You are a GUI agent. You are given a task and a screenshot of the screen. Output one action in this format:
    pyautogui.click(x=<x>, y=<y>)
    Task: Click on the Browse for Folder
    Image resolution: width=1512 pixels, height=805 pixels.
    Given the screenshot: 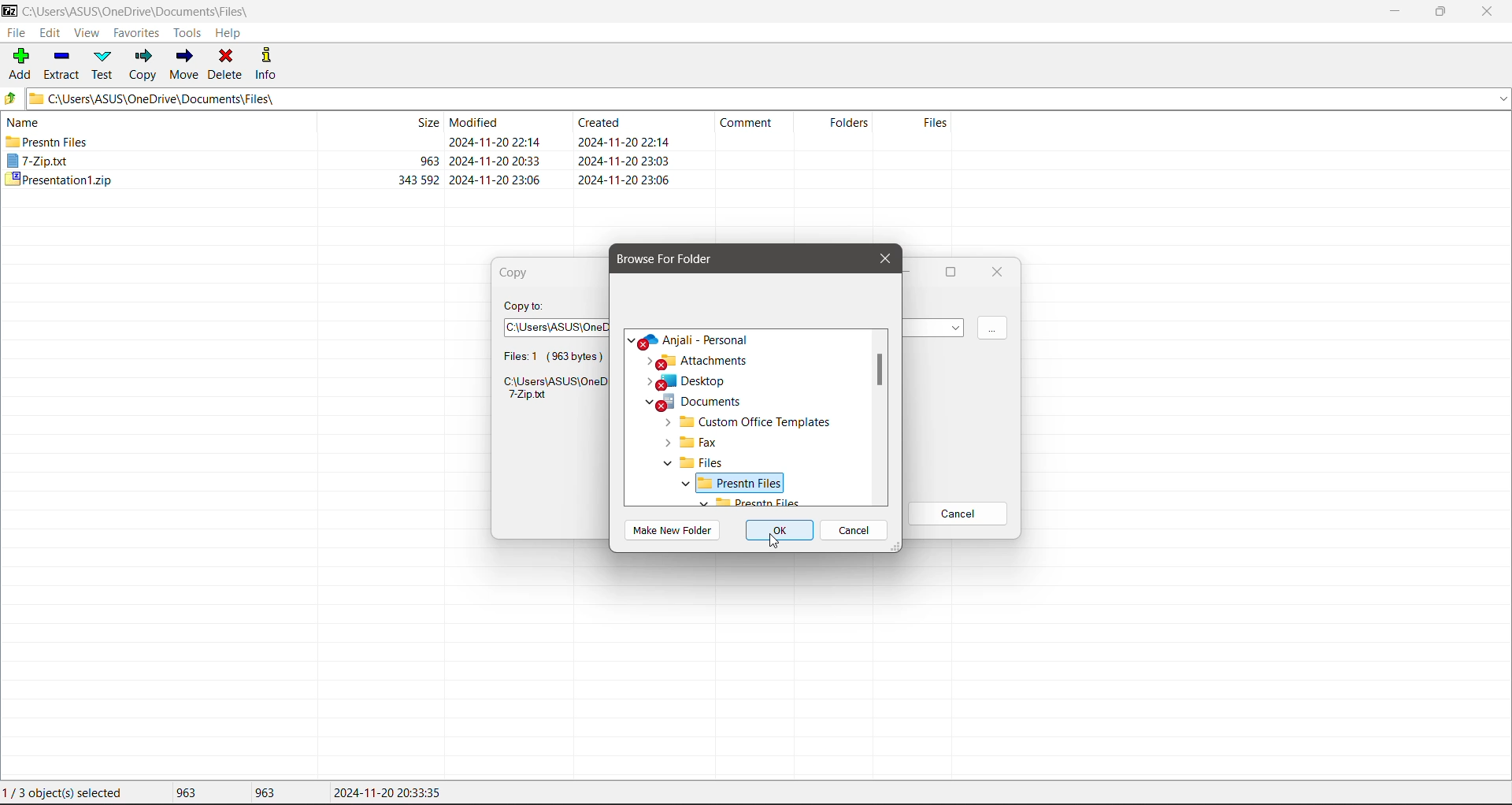 What is the action you would take?
    pyautogui.click(x=673, y=259)
    